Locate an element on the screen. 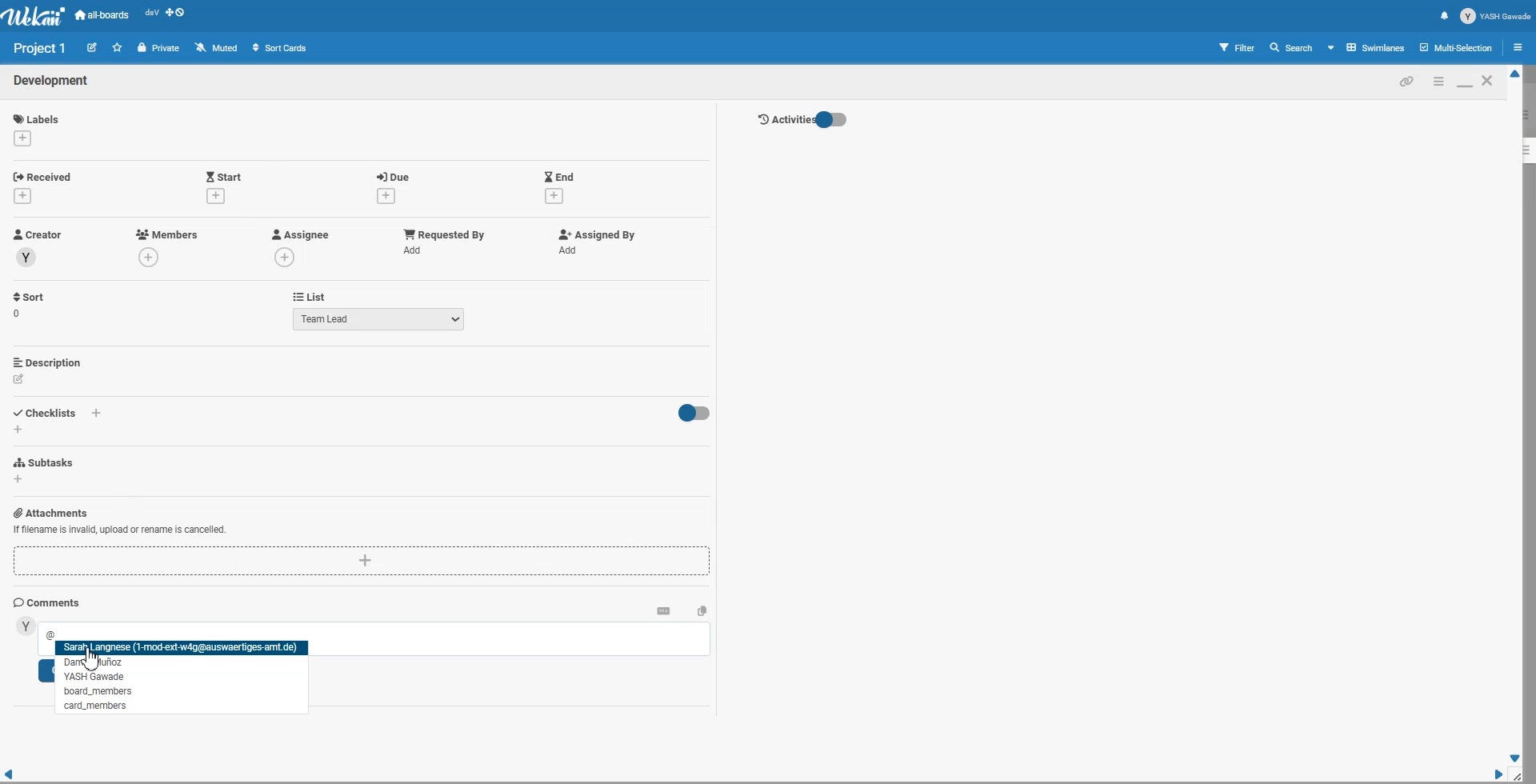 This screenshot has height=784, width=1536. add is located at coordinates (26, 195).